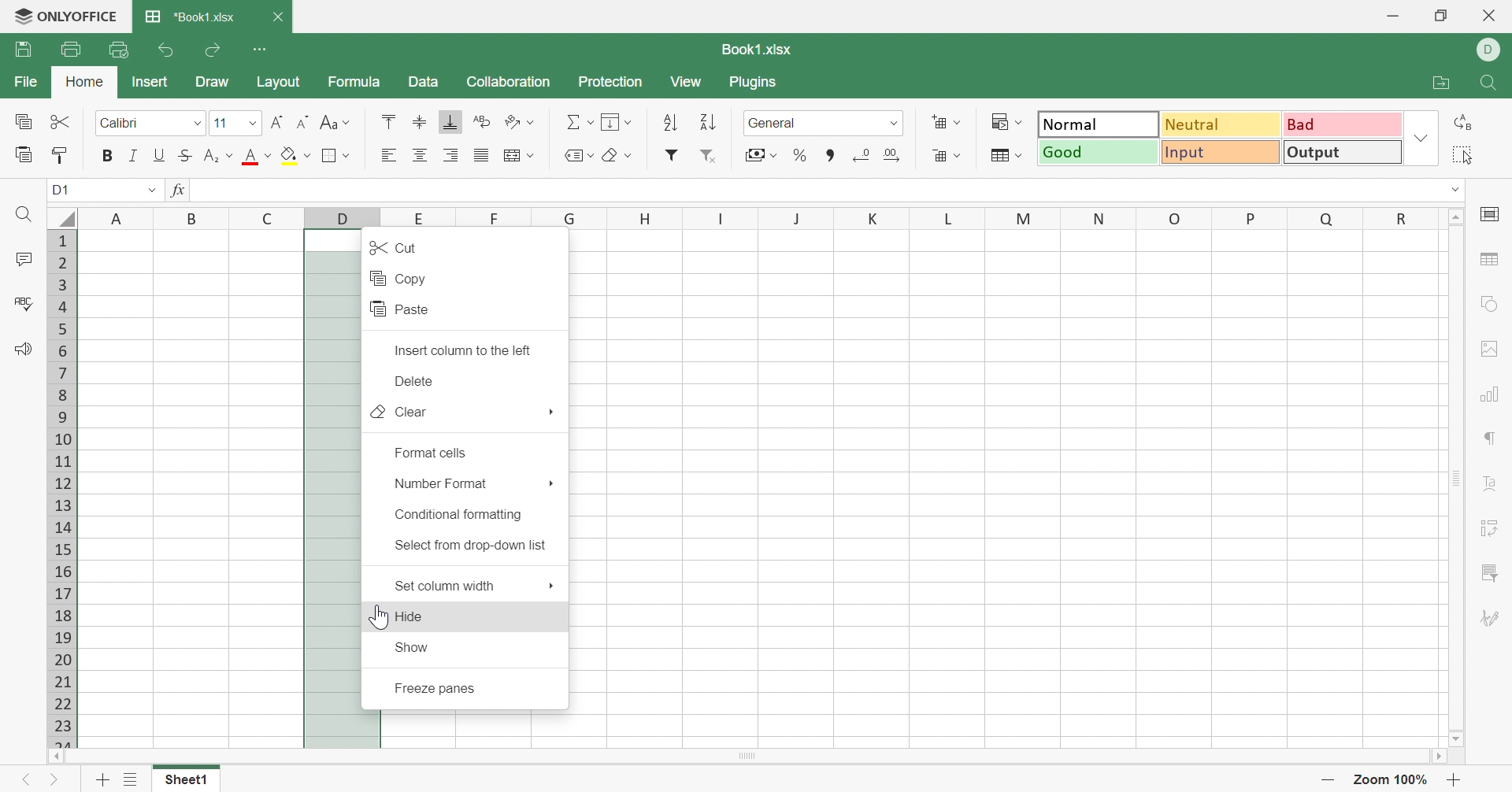 The image size is (1512, 792). I want to click on Named ranges, so click(572, 156).